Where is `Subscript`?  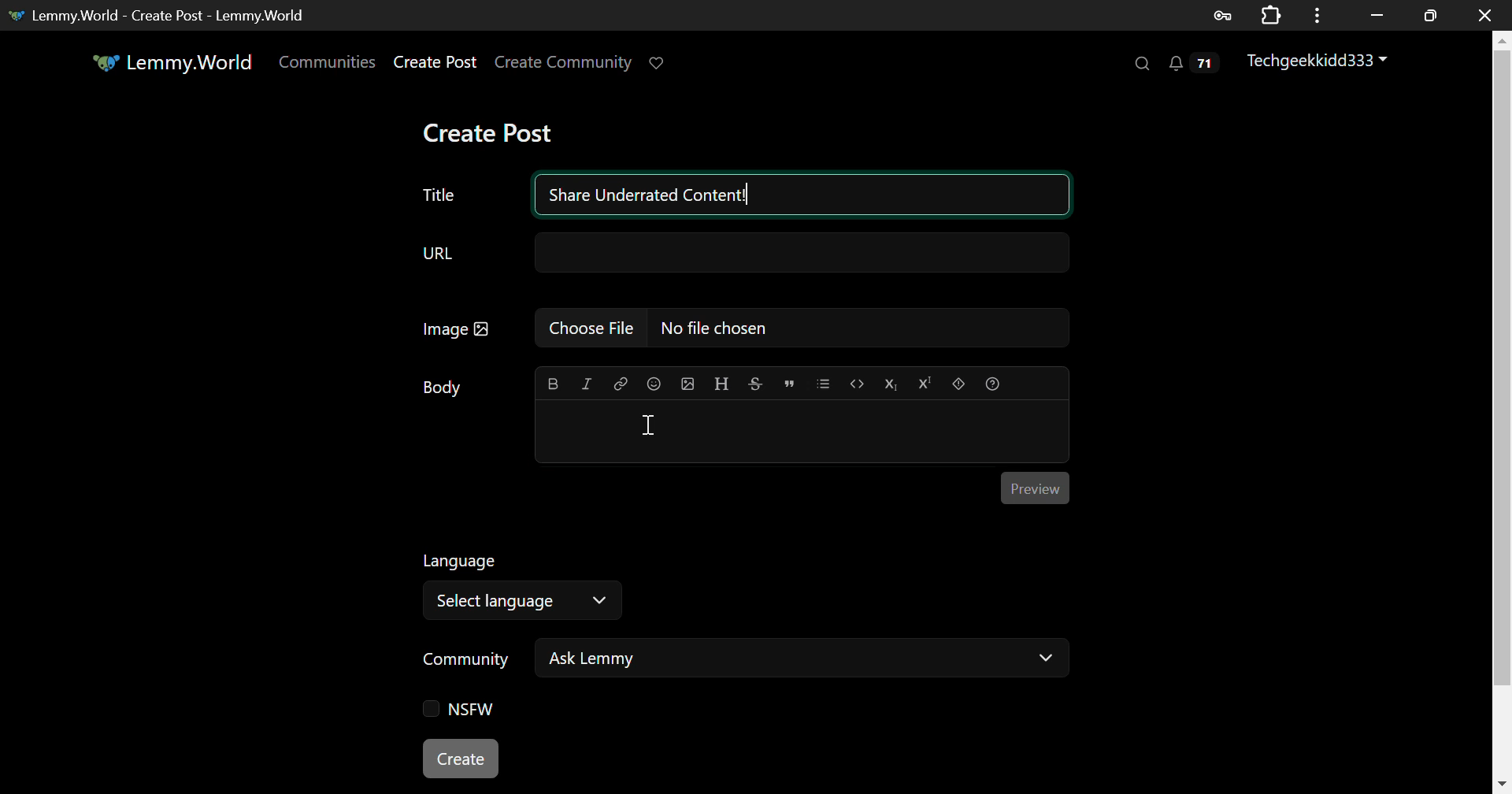 Subscript is located at coordinates (889, 384).